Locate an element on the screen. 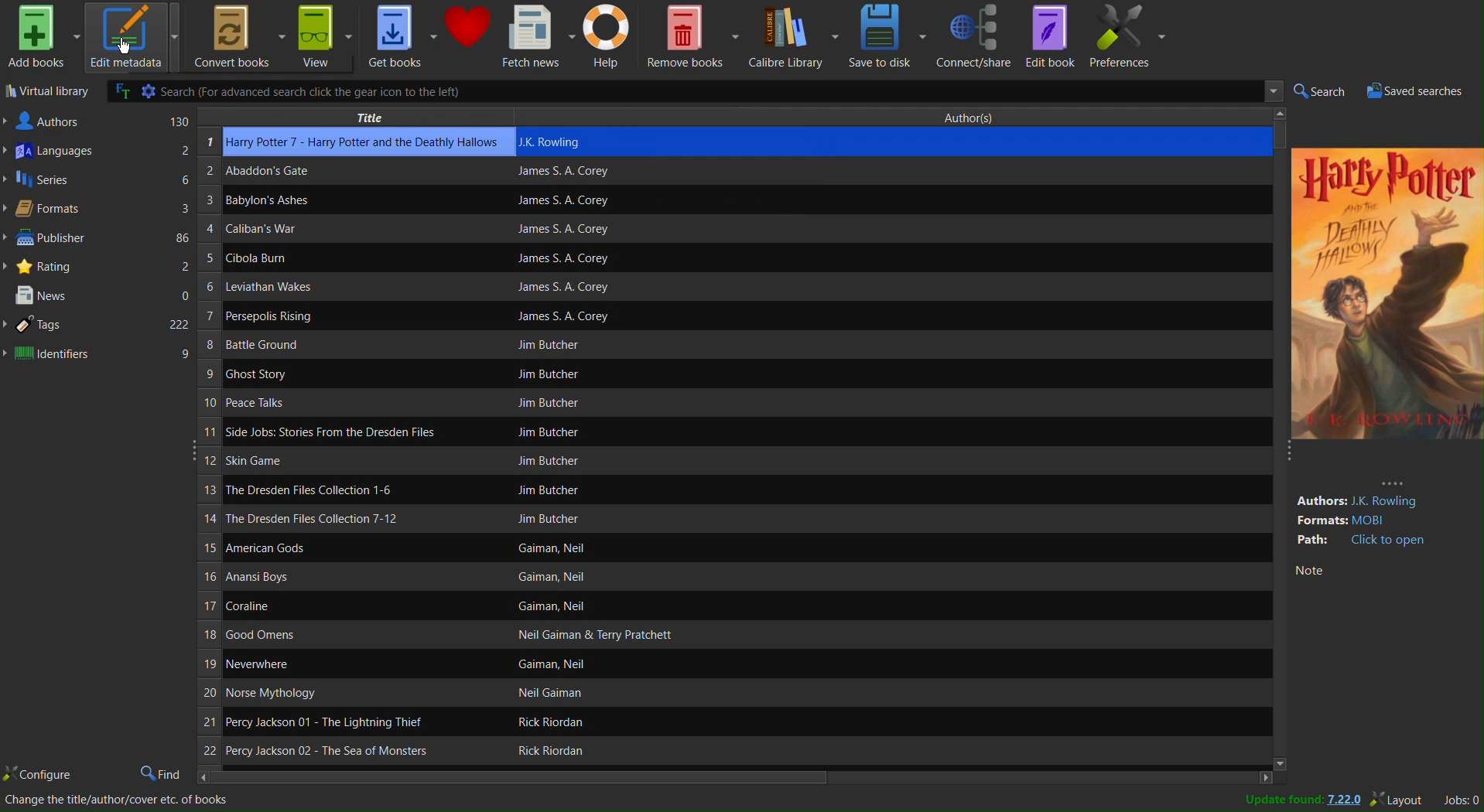 Image resolution: width=1484 pixels, height=812 pixels. row numbers is located at coordinates (208, 449).